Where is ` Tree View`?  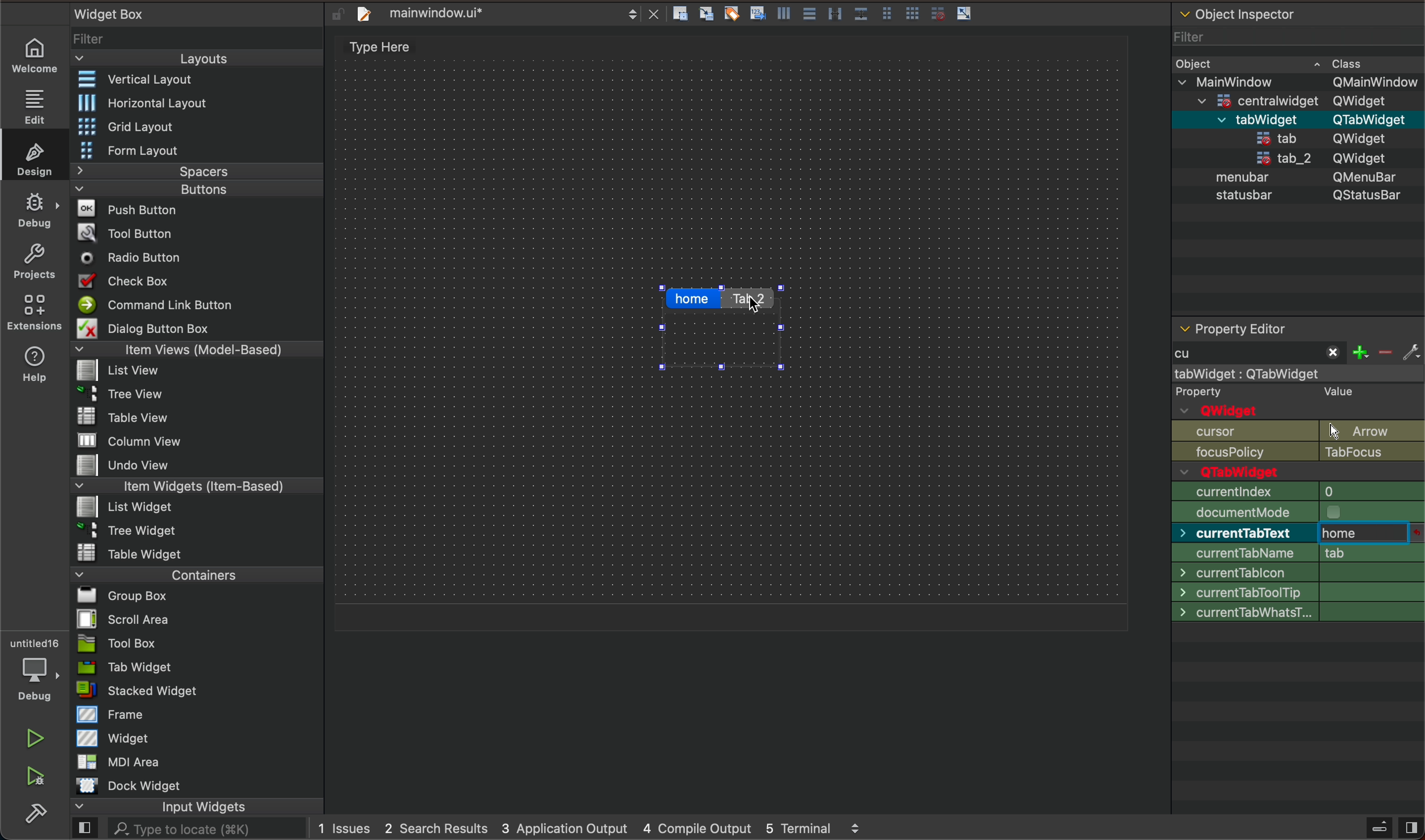
 Tree View is located at coordinates (122, 392).